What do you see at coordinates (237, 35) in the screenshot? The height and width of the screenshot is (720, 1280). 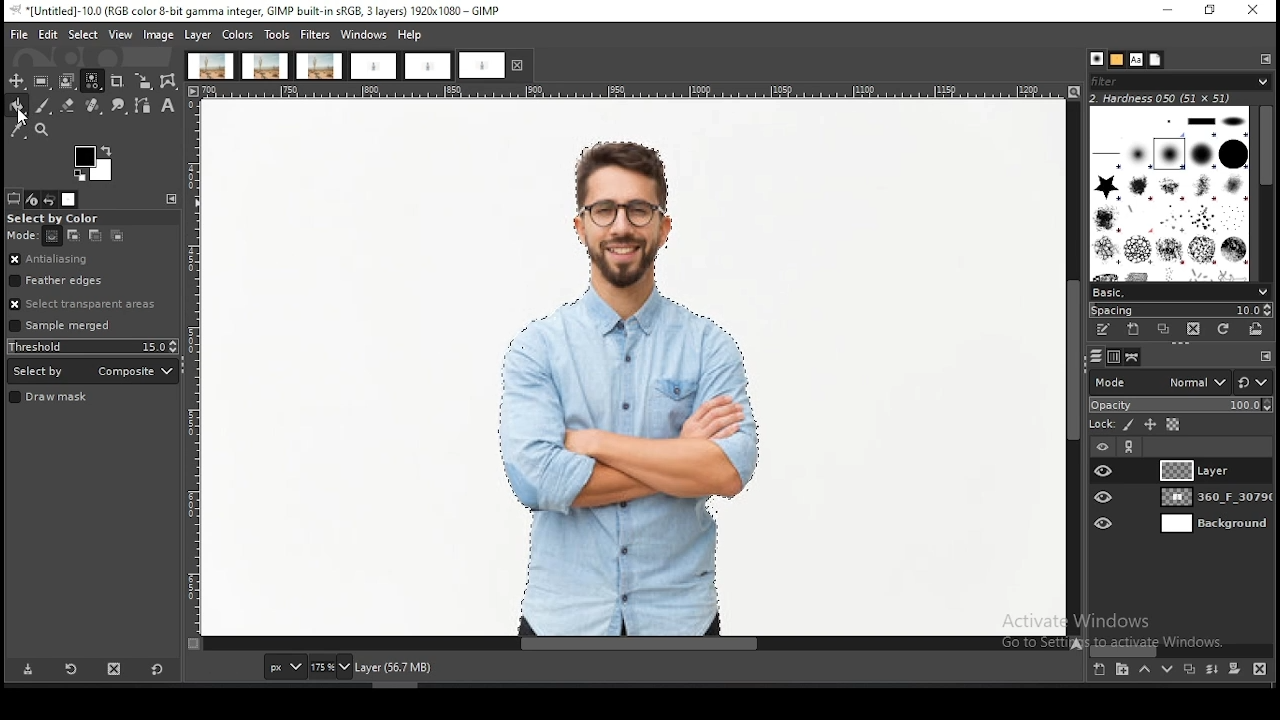 I see `colors` at bounding box center [237, 35].